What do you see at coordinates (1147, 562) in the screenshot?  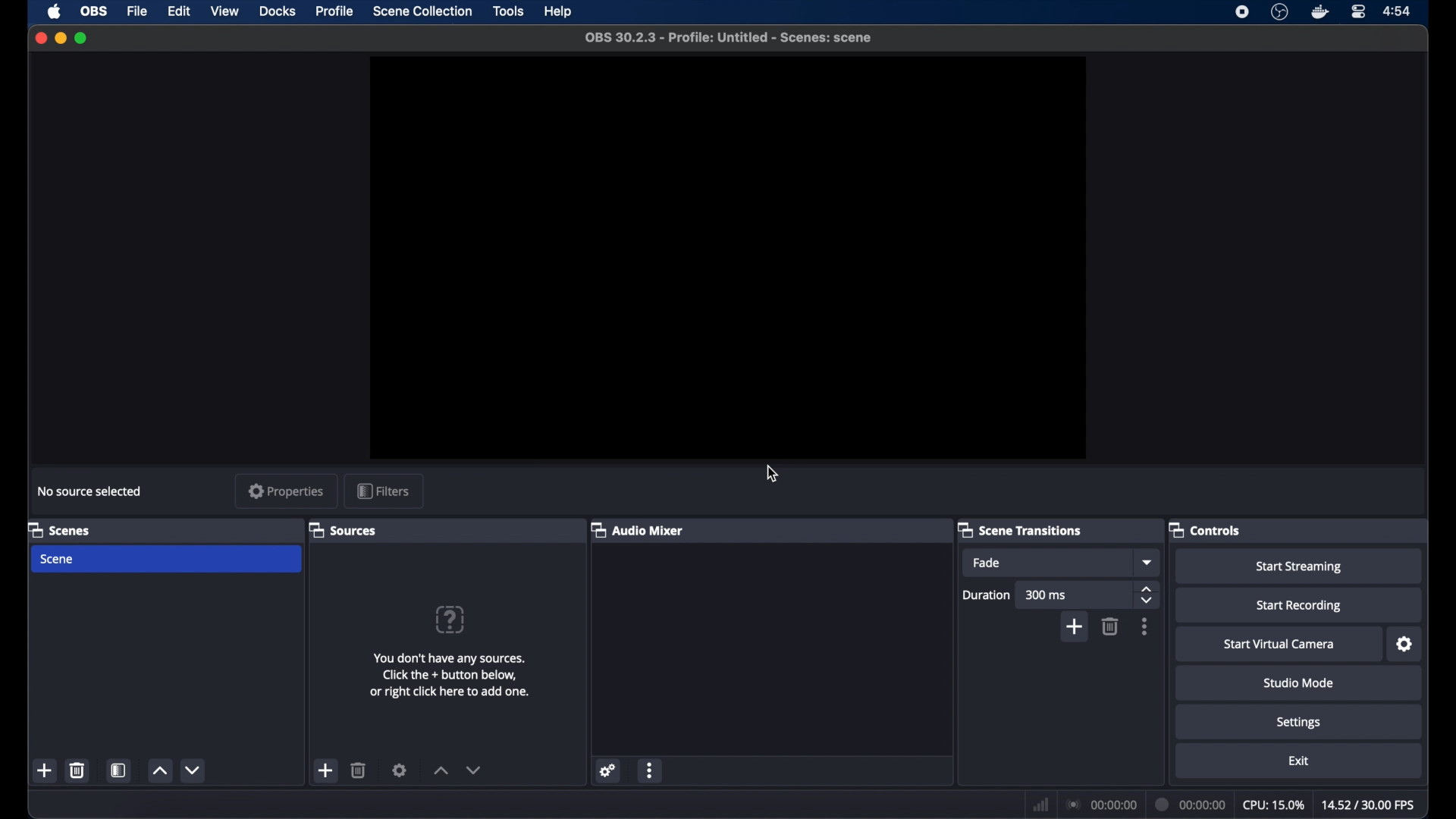 I see `fade dropdown` at bounding box center [1147, 562].